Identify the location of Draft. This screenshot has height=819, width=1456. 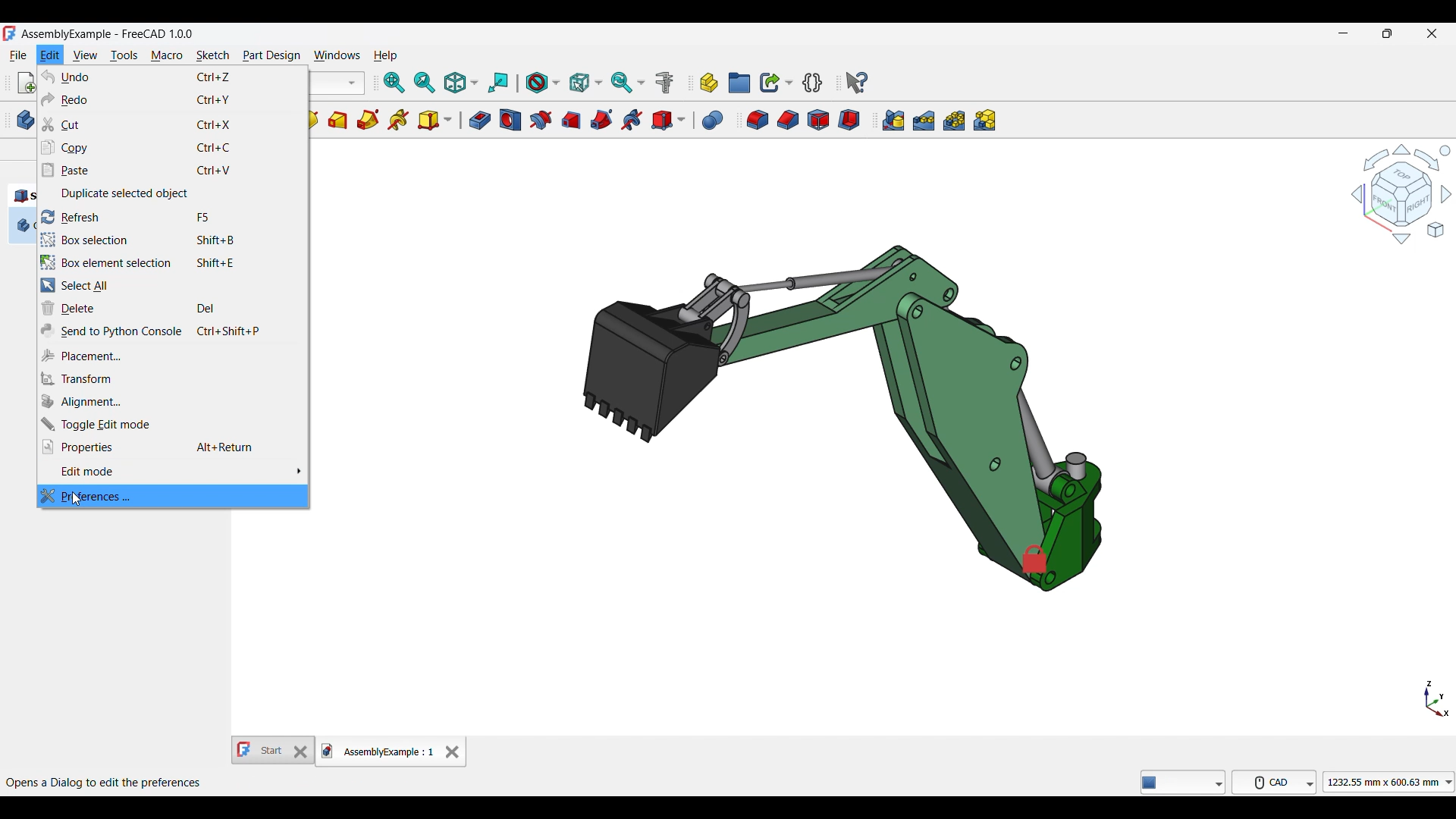
(818, 120).